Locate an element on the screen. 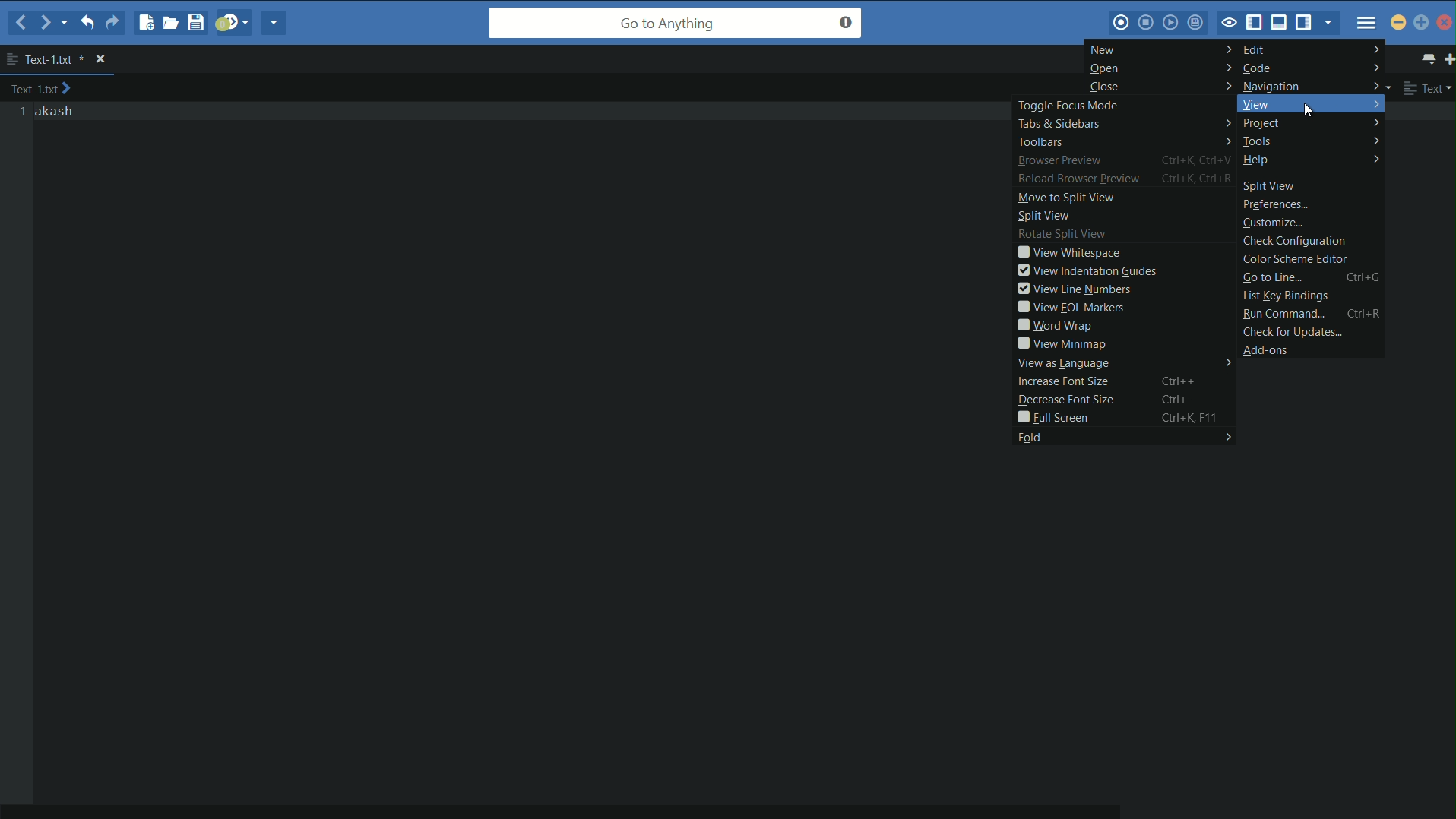 The width and height of the screenshot is (1456, 819). view as language is located at coordinates (1125, 363).